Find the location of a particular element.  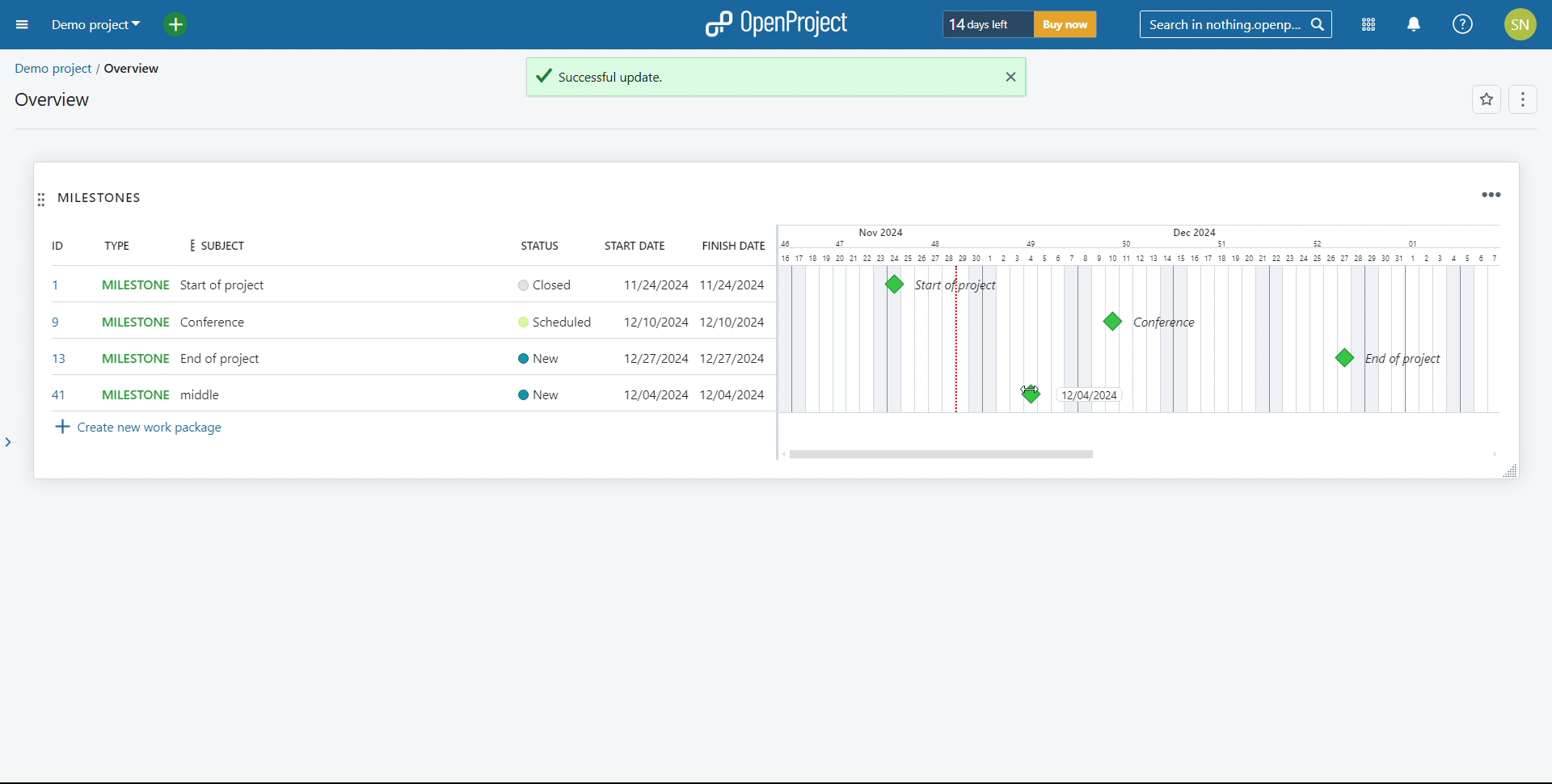

finish date is located at coordinates (731, 322).